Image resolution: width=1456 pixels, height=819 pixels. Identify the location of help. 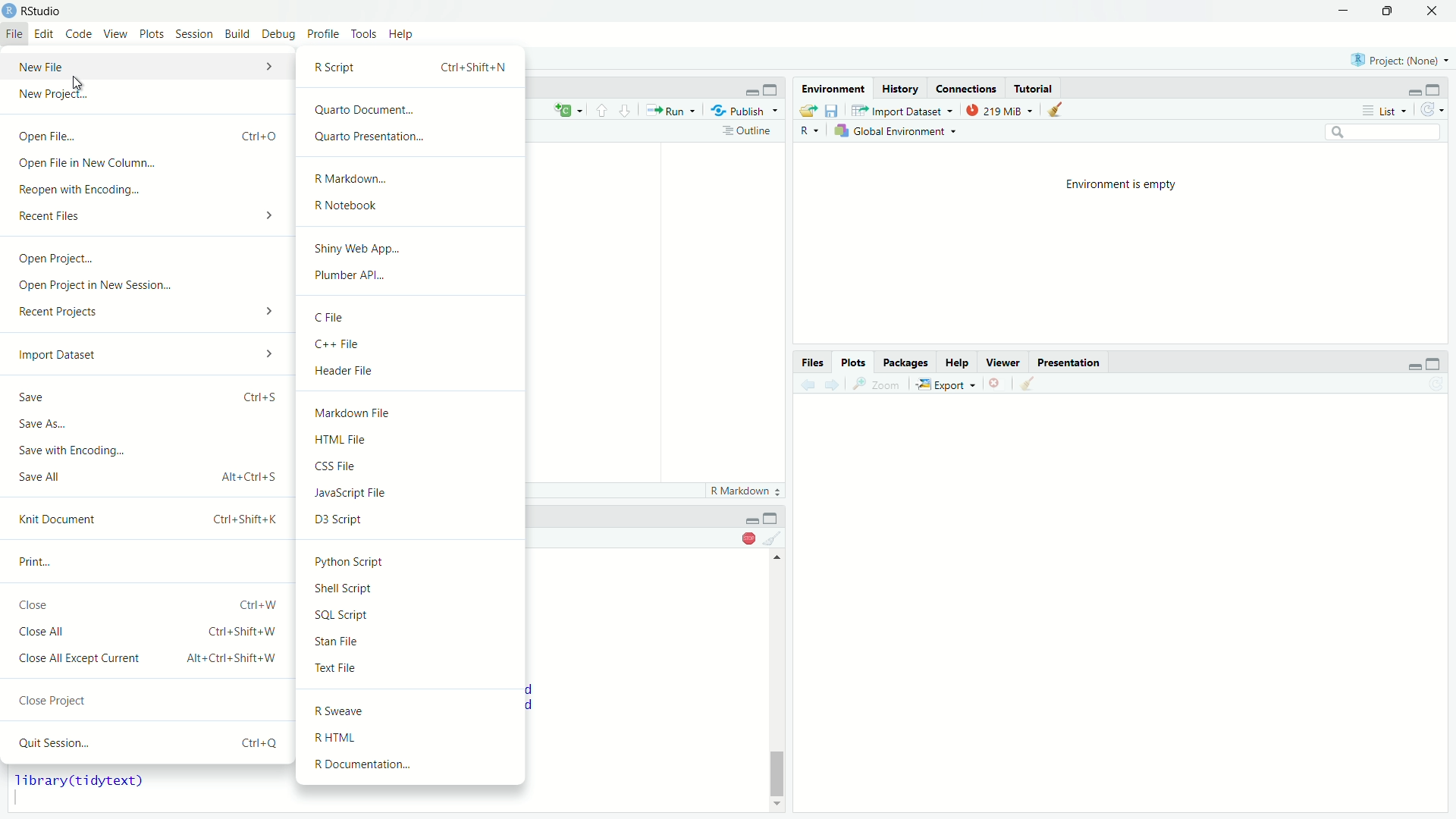
(957, 363).